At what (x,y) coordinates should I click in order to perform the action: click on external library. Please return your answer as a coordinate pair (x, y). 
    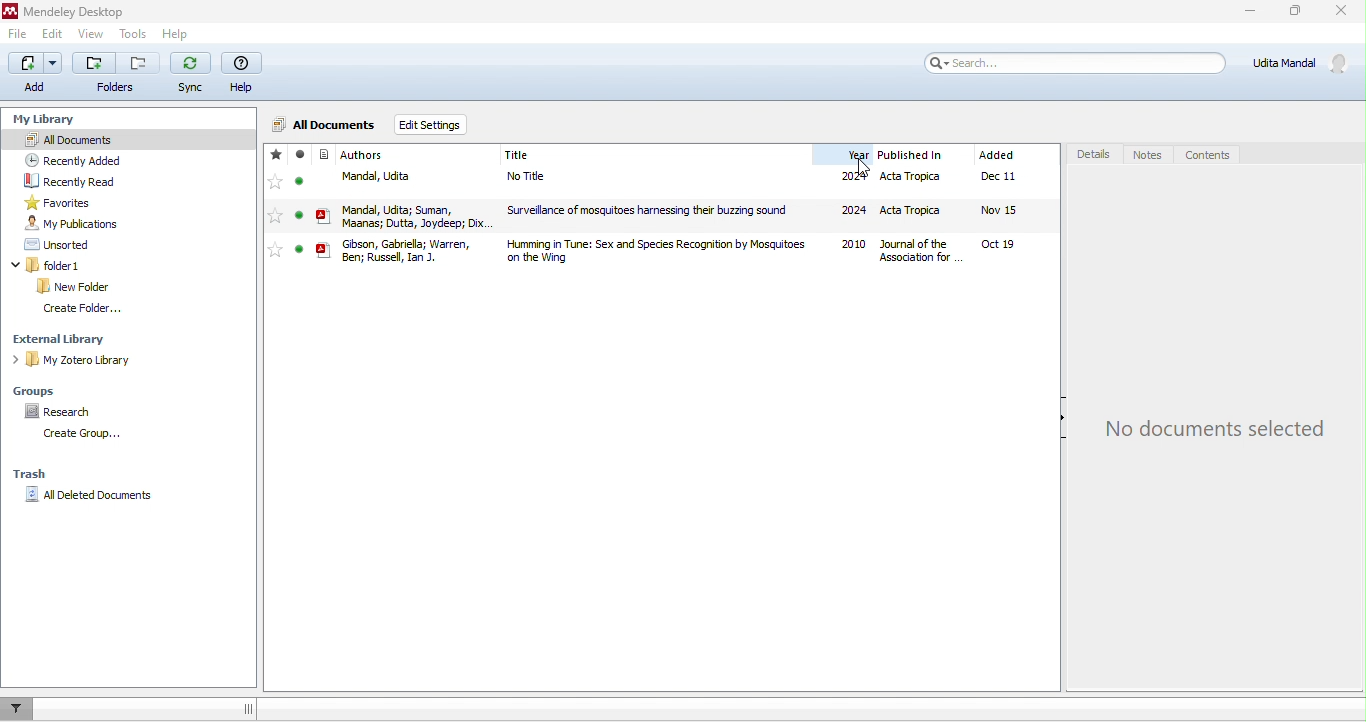
    Looking at the image, I should click on (59, 339).